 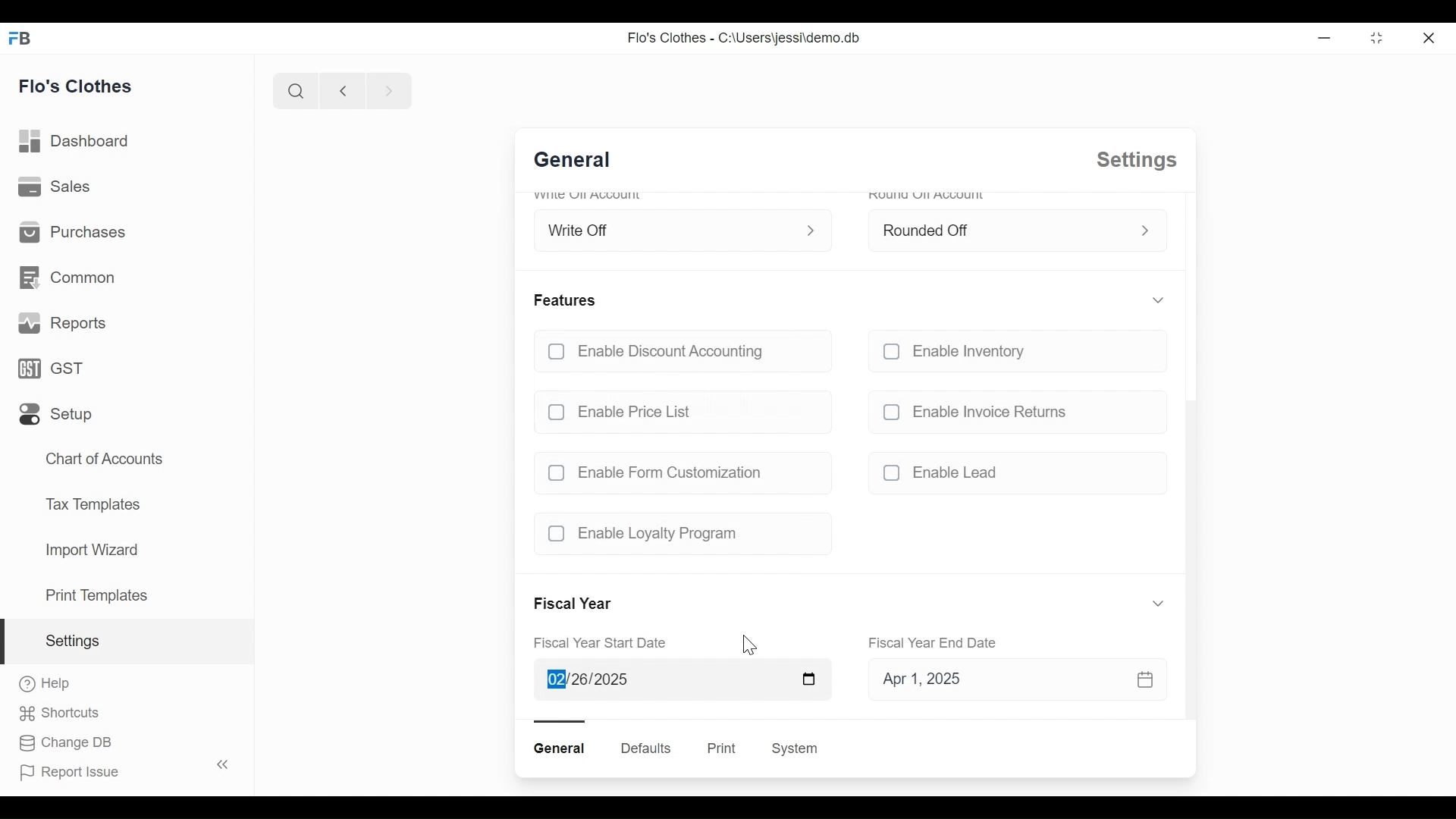 What do you see at coordinates (576, 604) in the screenshot?
I see `Fiscal Year` at bounding box center [576, 604].